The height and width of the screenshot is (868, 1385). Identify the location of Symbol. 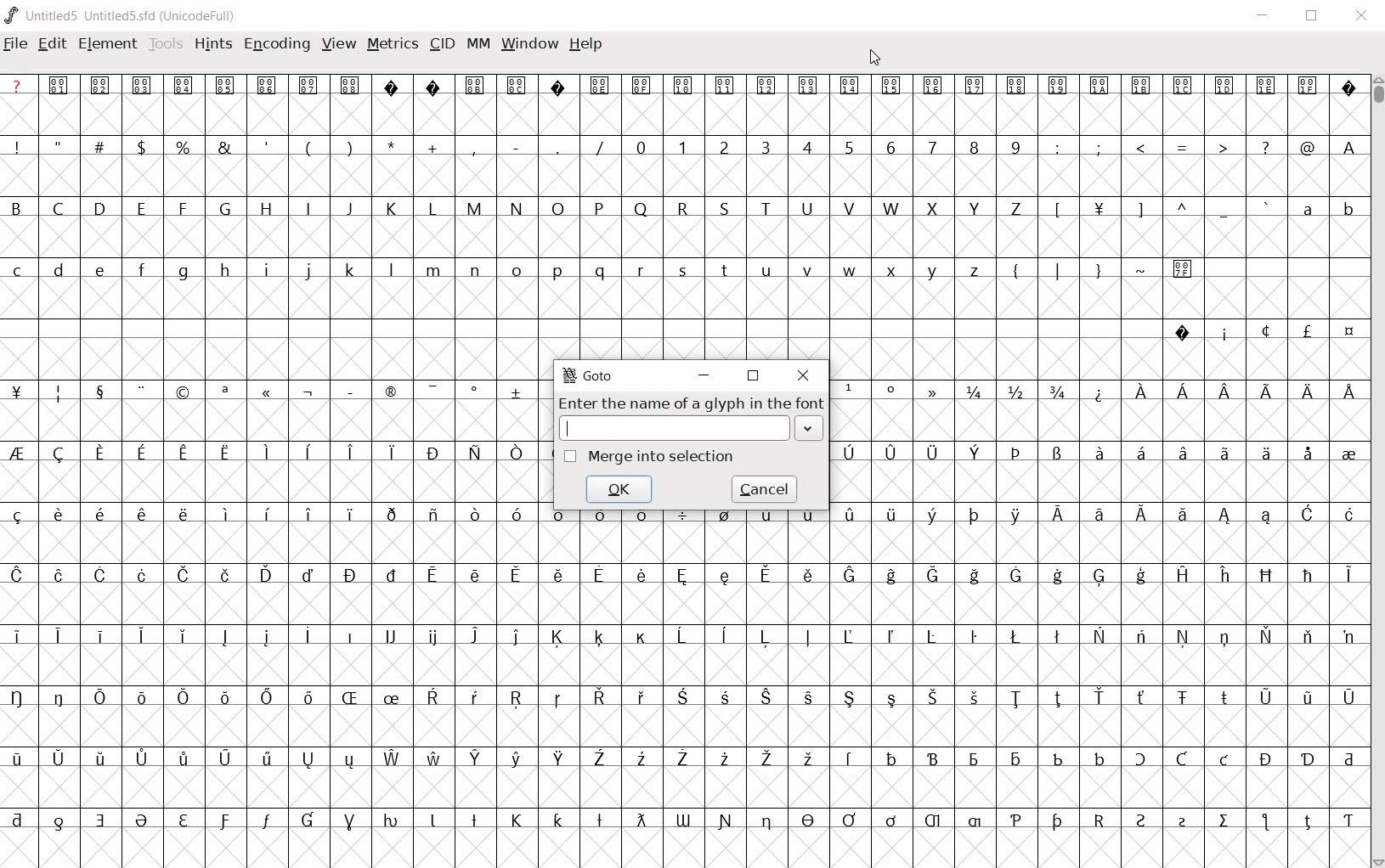
(309, 85).